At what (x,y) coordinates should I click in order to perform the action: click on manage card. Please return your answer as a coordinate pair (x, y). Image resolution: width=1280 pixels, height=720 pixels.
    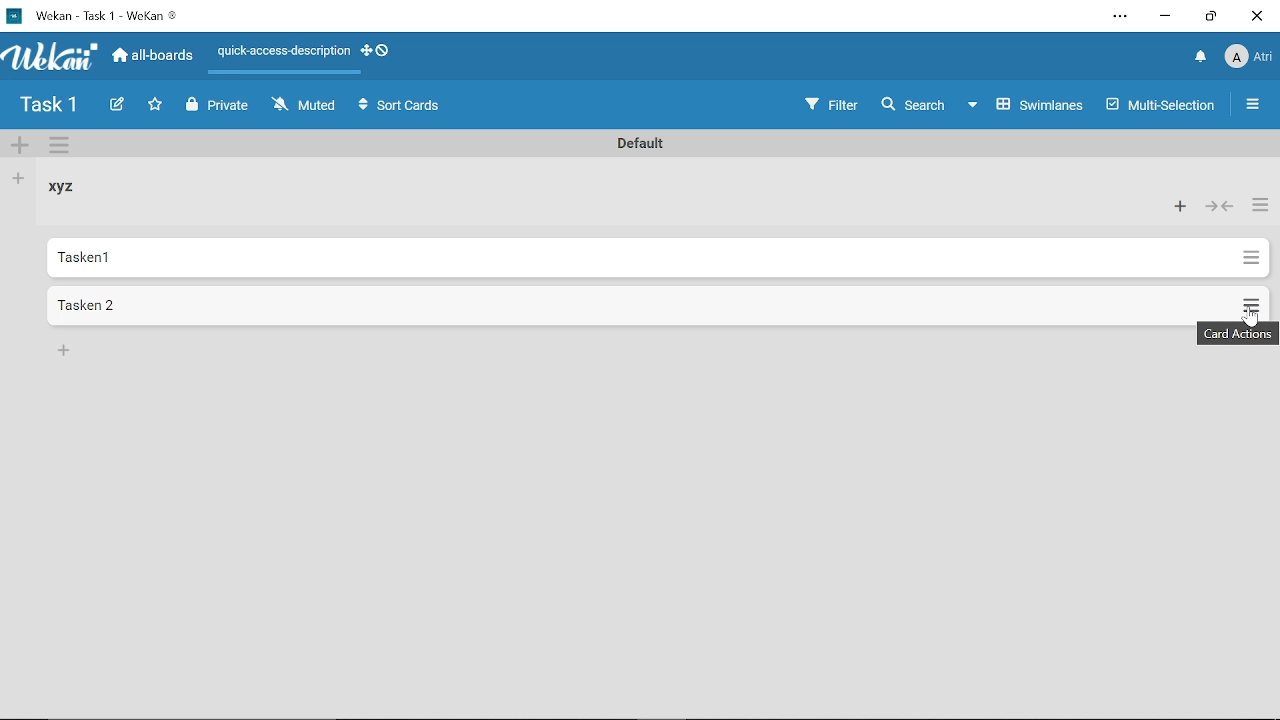
    Looking at the image, I should click on (1250, 301).